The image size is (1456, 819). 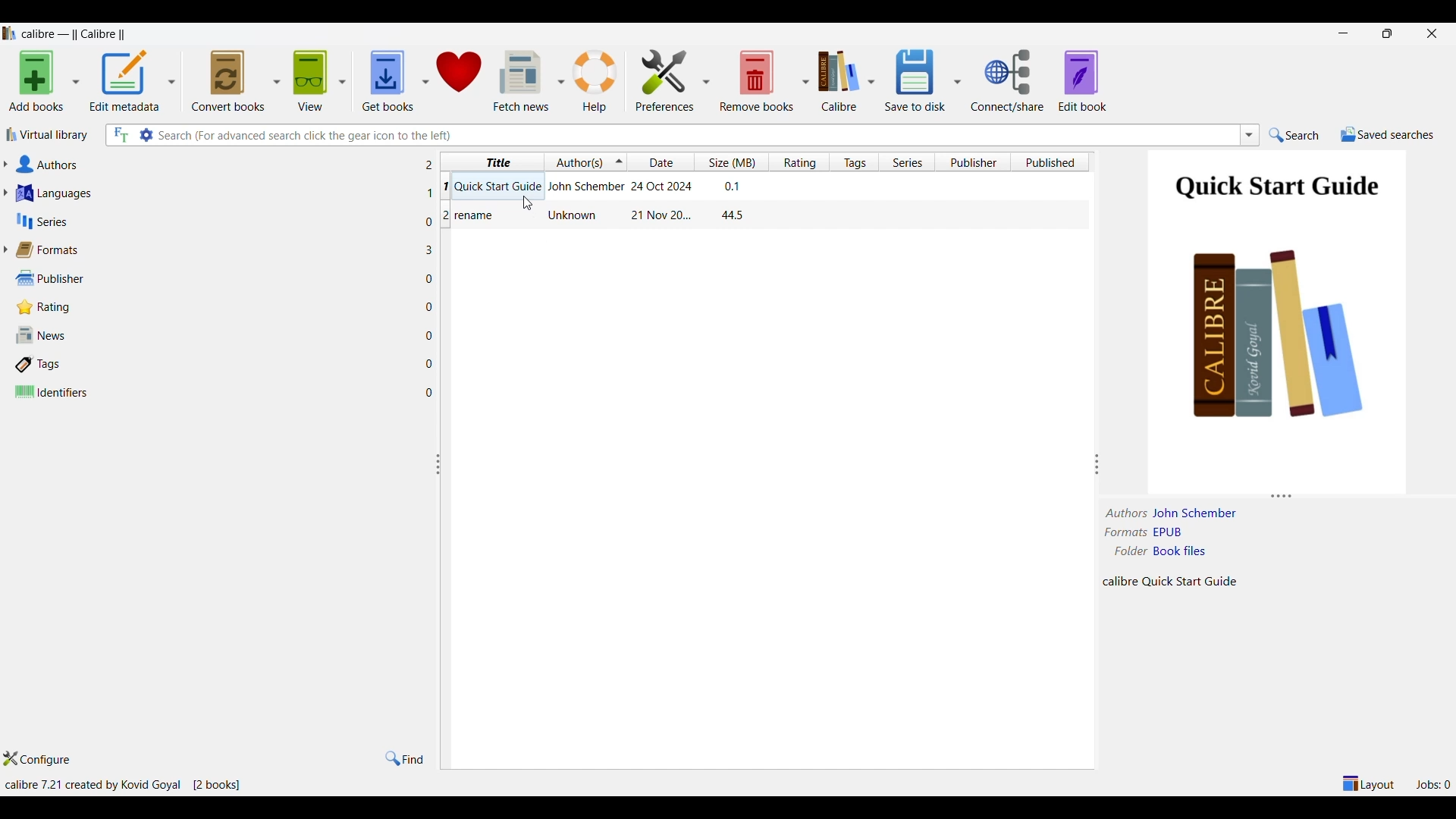 What do you see at coordinates (310, 81) in the screenshot?
I see `View` at bounding box center [310, 81].